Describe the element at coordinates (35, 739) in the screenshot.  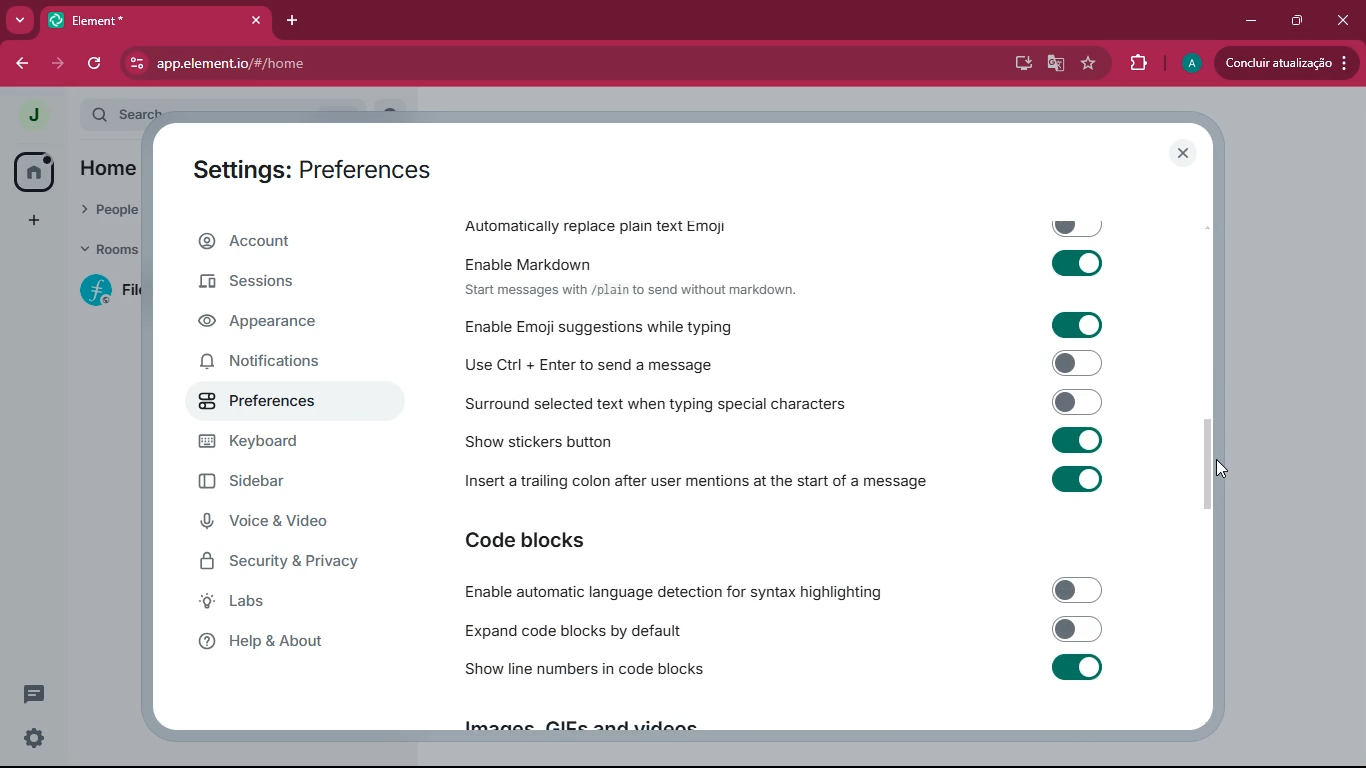
I see `settings` at that location.